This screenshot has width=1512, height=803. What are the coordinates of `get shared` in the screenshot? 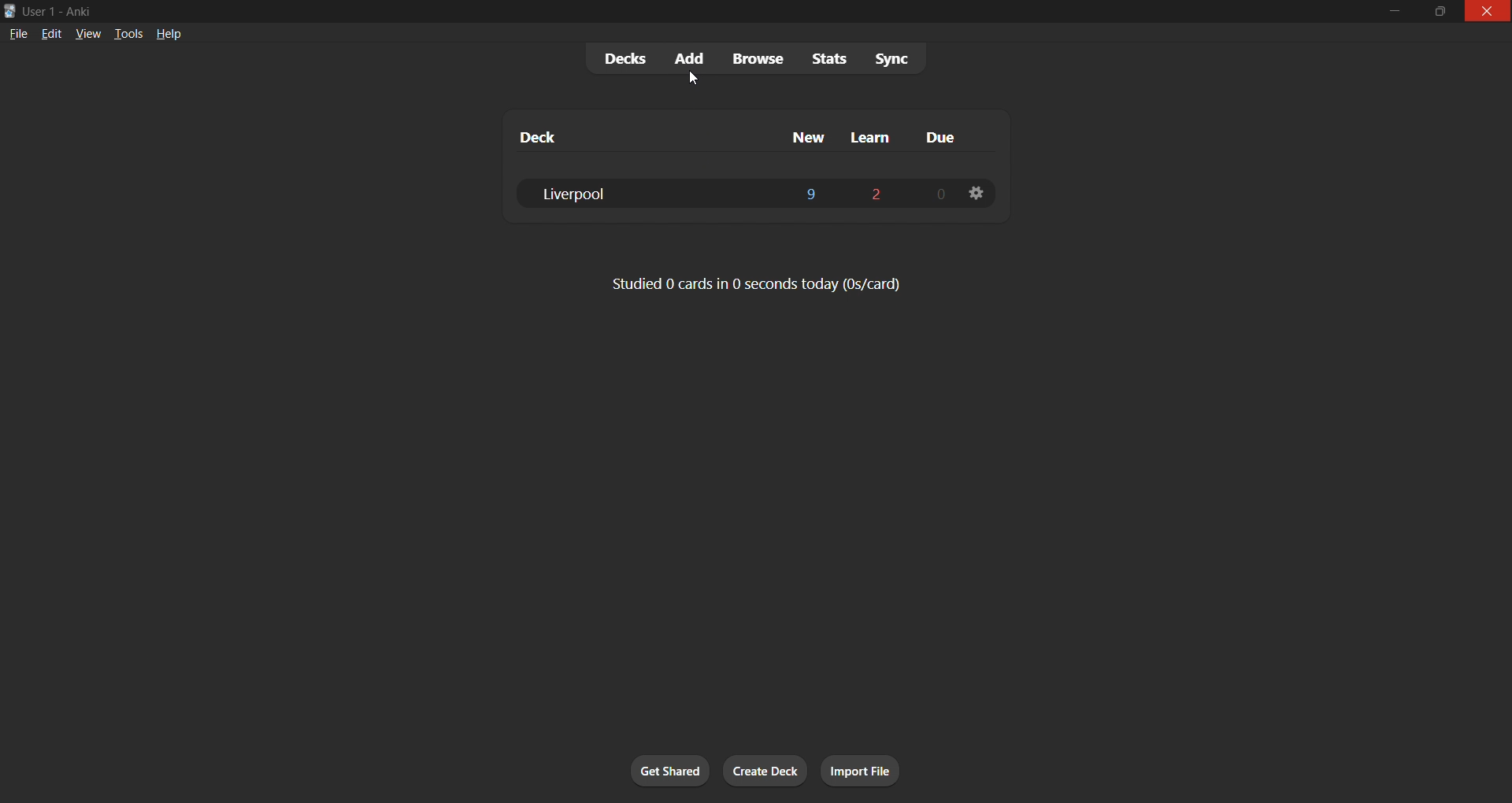 It's located at (665, 769).